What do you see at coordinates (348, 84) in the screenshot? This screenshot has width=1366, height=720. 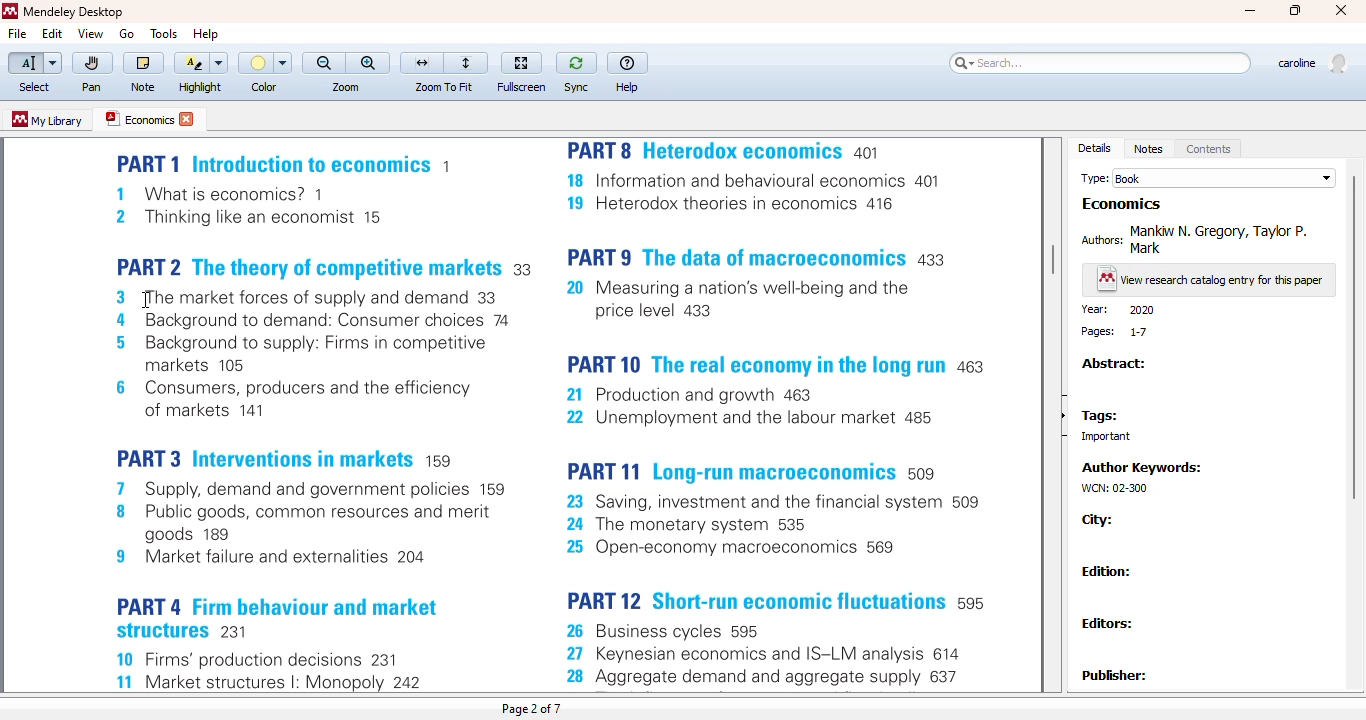 I see `Zoom` at bounding box center [348, 84].